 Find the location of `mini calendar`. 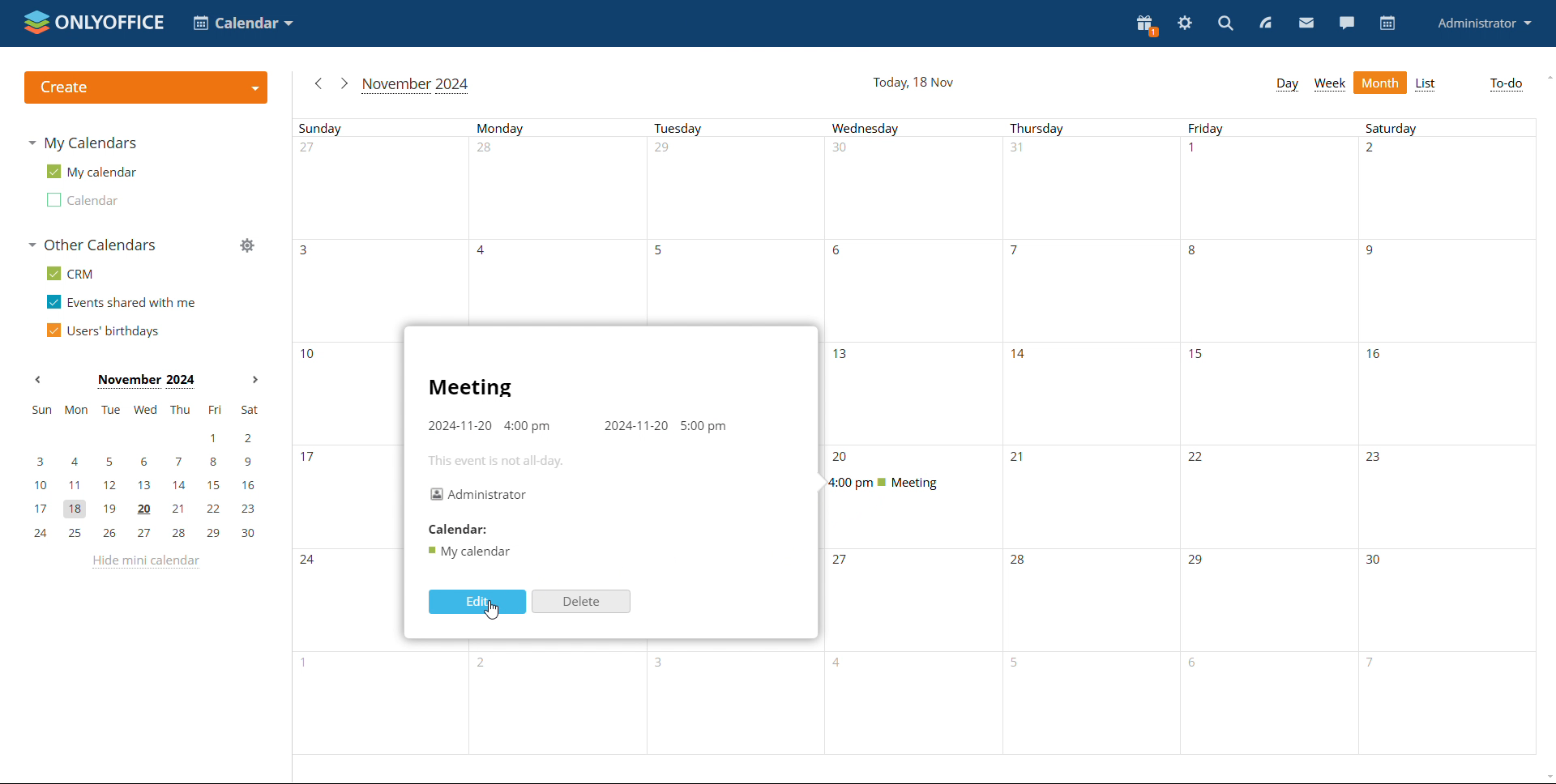

mini calendar is located at coordinates (145, 472).